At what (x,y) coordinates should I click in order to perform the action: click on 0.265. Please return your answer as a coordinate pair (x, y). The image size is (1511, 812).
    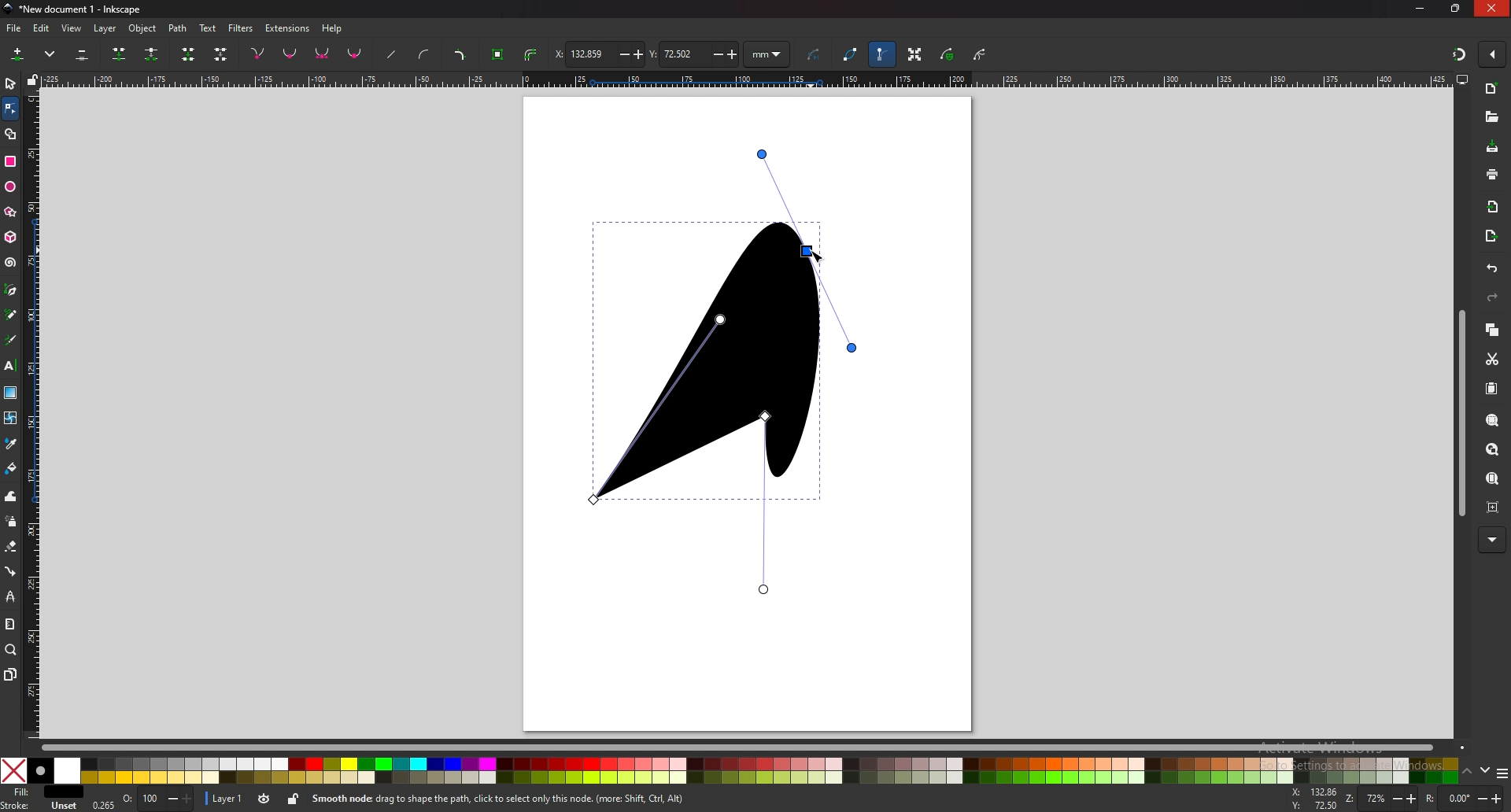
    Looking at the image, I should click on (102, 804).